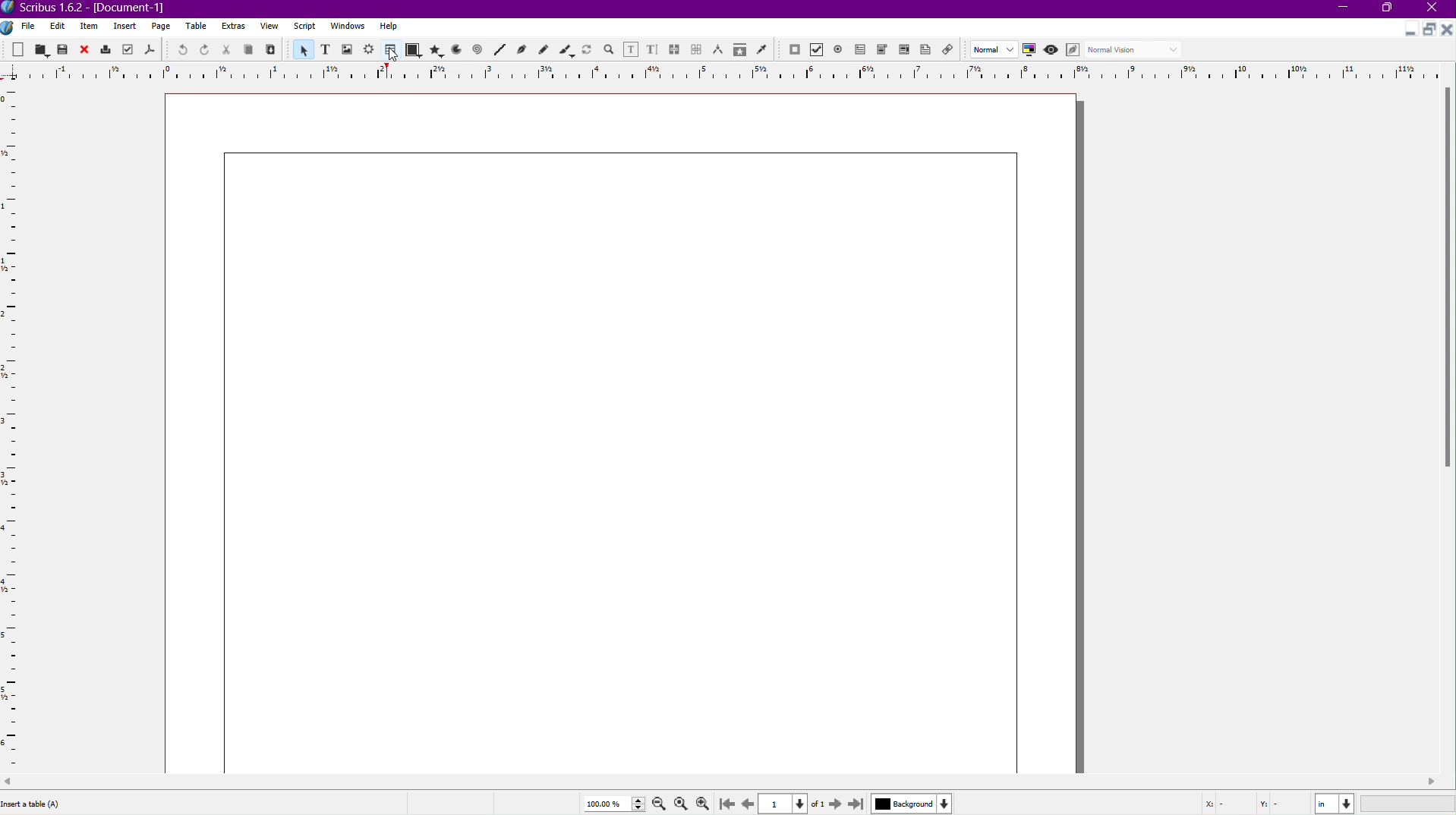 This screenshot has width=1456, height=815. What do you see at coordinates (952, 51) in the screenshot?
I see `Link Annotation` at bounding box center [952, 51].